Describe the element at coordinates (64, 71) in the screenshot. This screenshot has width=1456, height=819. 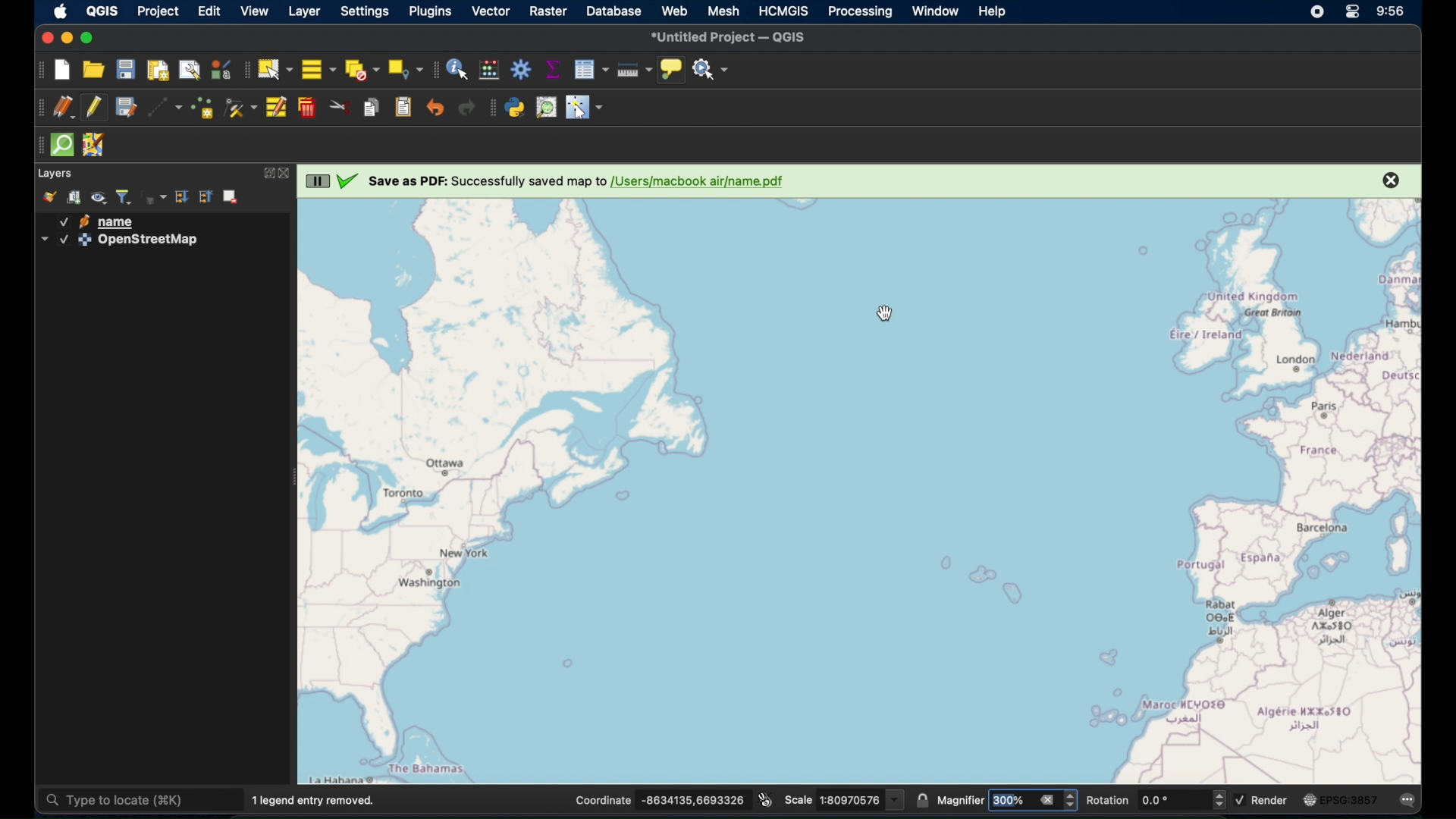
I see `new project` at that location.